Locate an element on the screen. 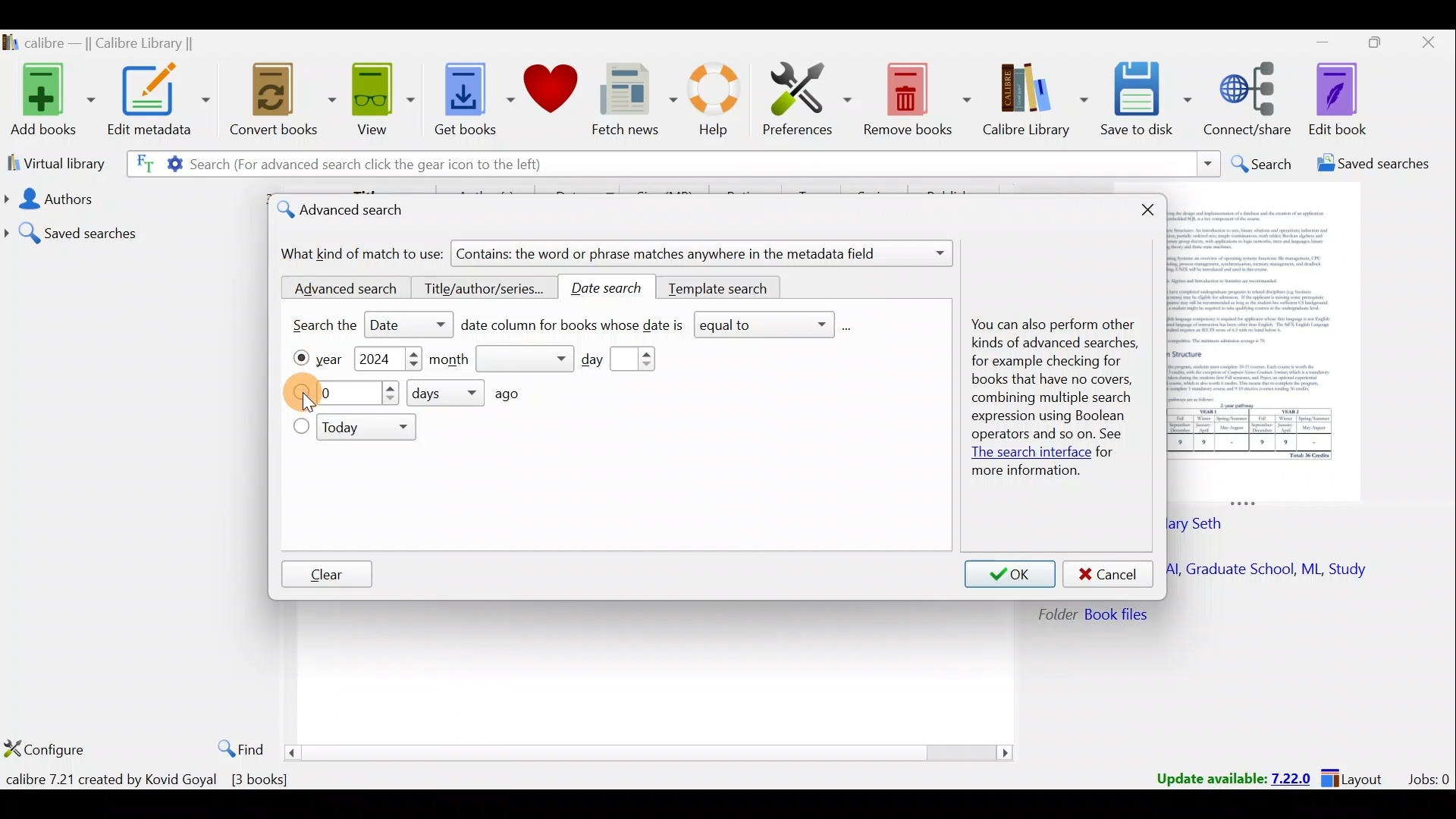 This screenshot has height=819, width=1456. Authors is located at coordinates (130, 199).